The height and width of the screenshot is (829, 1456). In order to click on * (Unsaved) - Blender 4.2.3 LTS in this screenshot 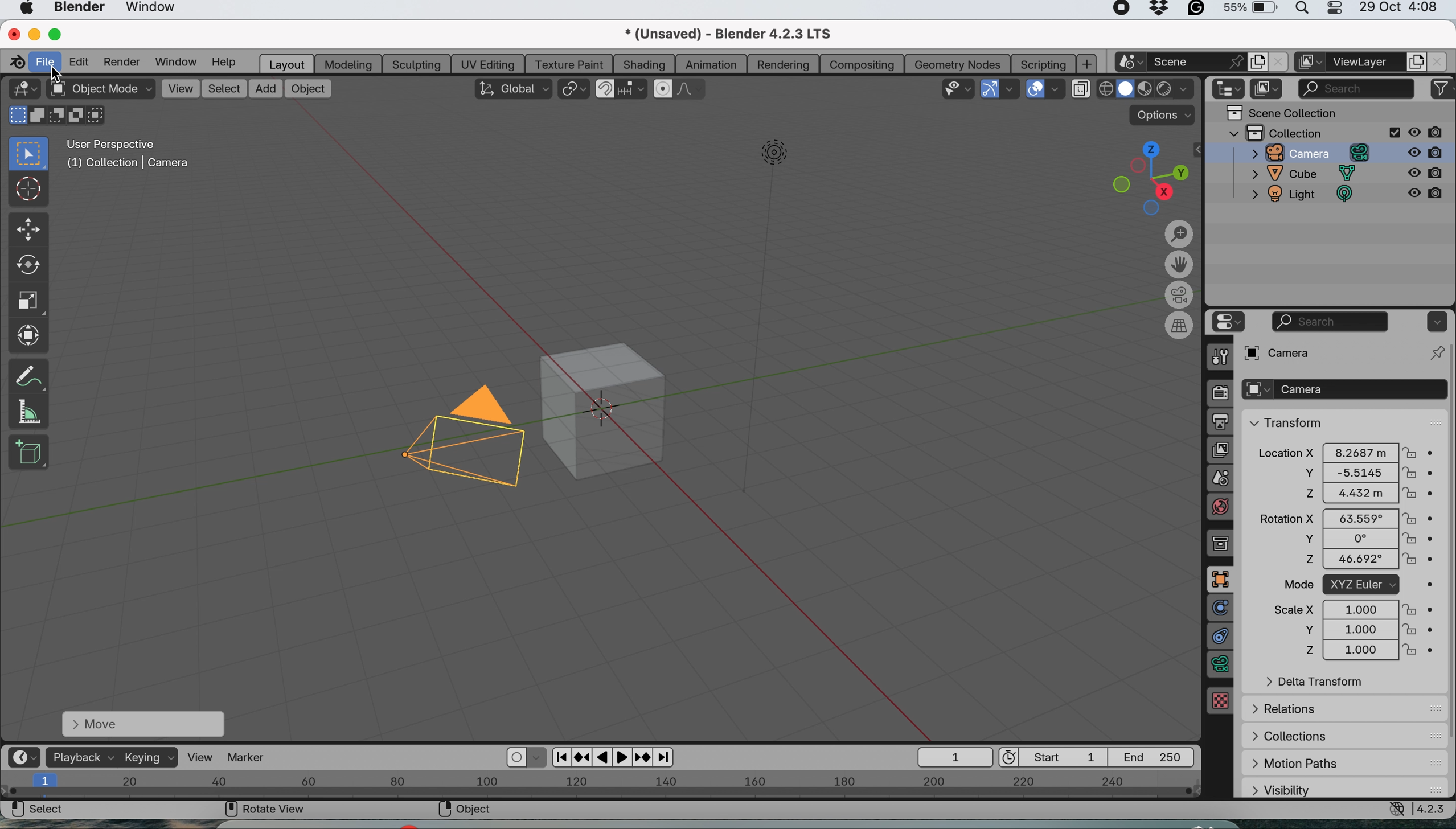, I will do `click(727, 36)`.